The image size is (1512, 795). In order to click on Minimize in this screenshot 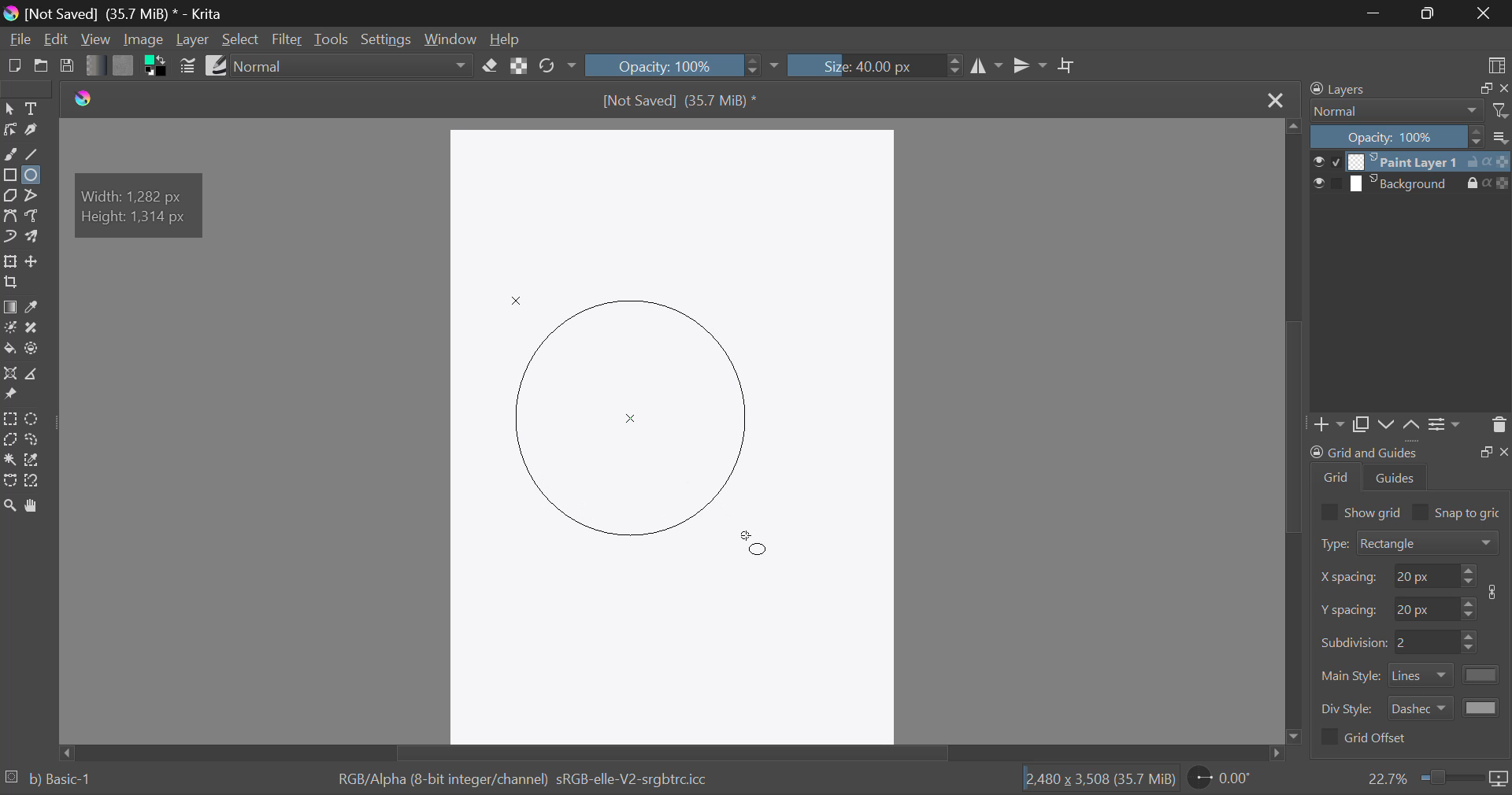, I will do `click(1431, 13)`.